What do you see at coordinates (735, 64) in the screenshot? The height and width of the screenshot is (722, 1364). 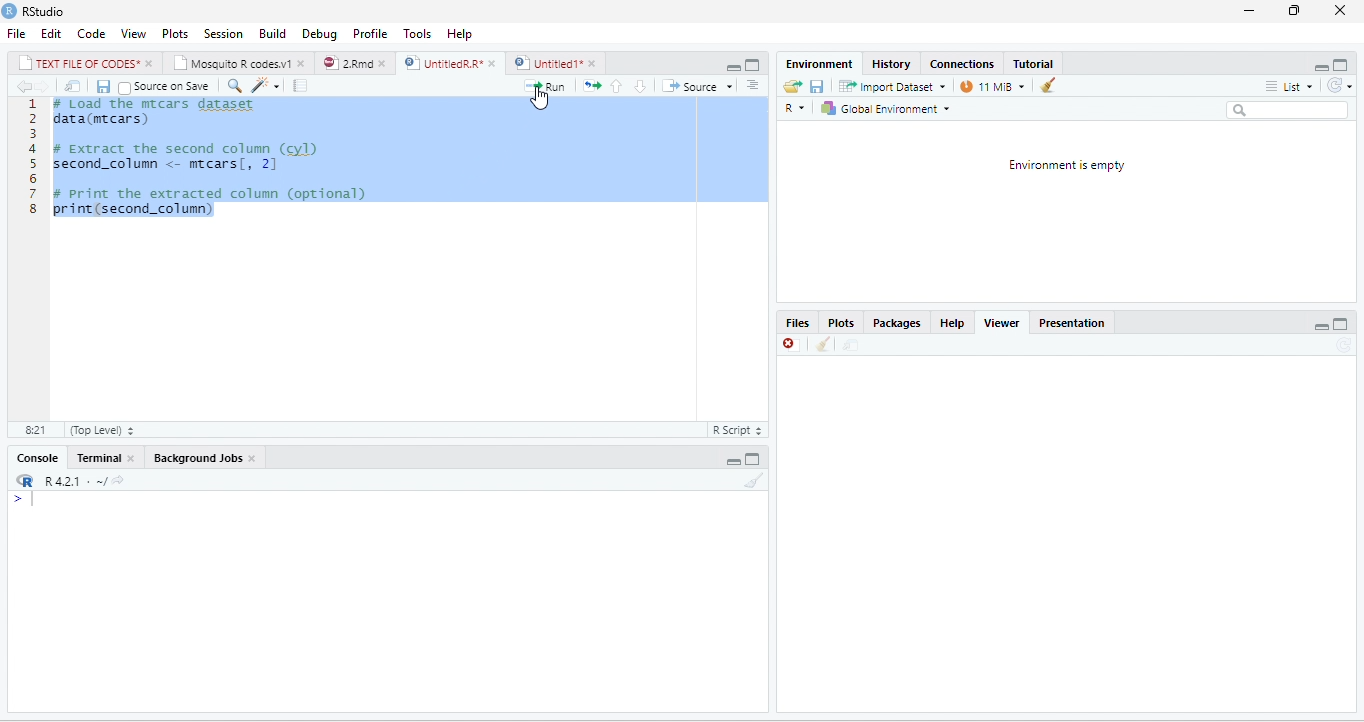 I see `maximize` at bounding box center [735, 64].